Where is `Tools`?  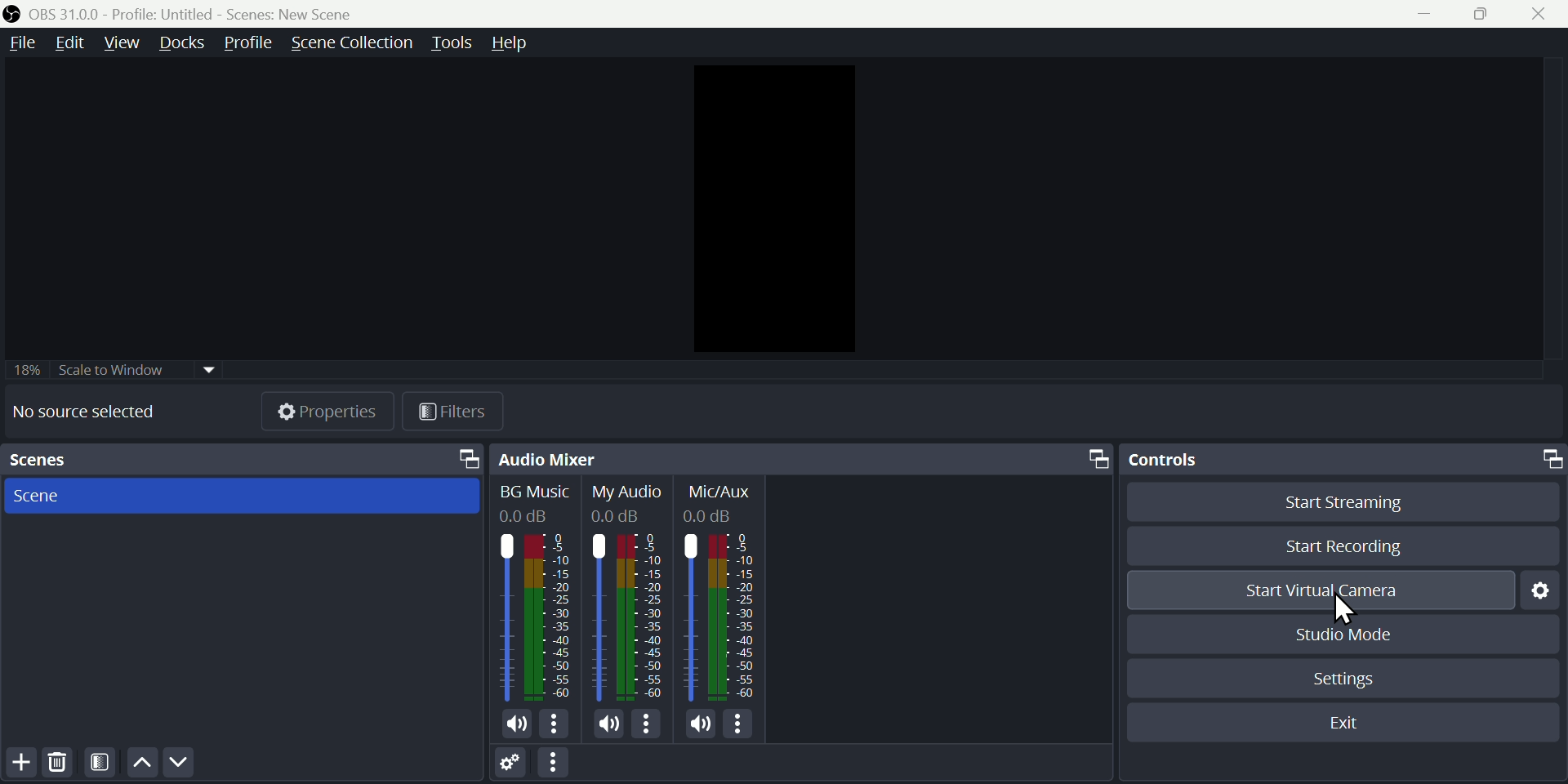 Tools is located at coordinates (451, 43).